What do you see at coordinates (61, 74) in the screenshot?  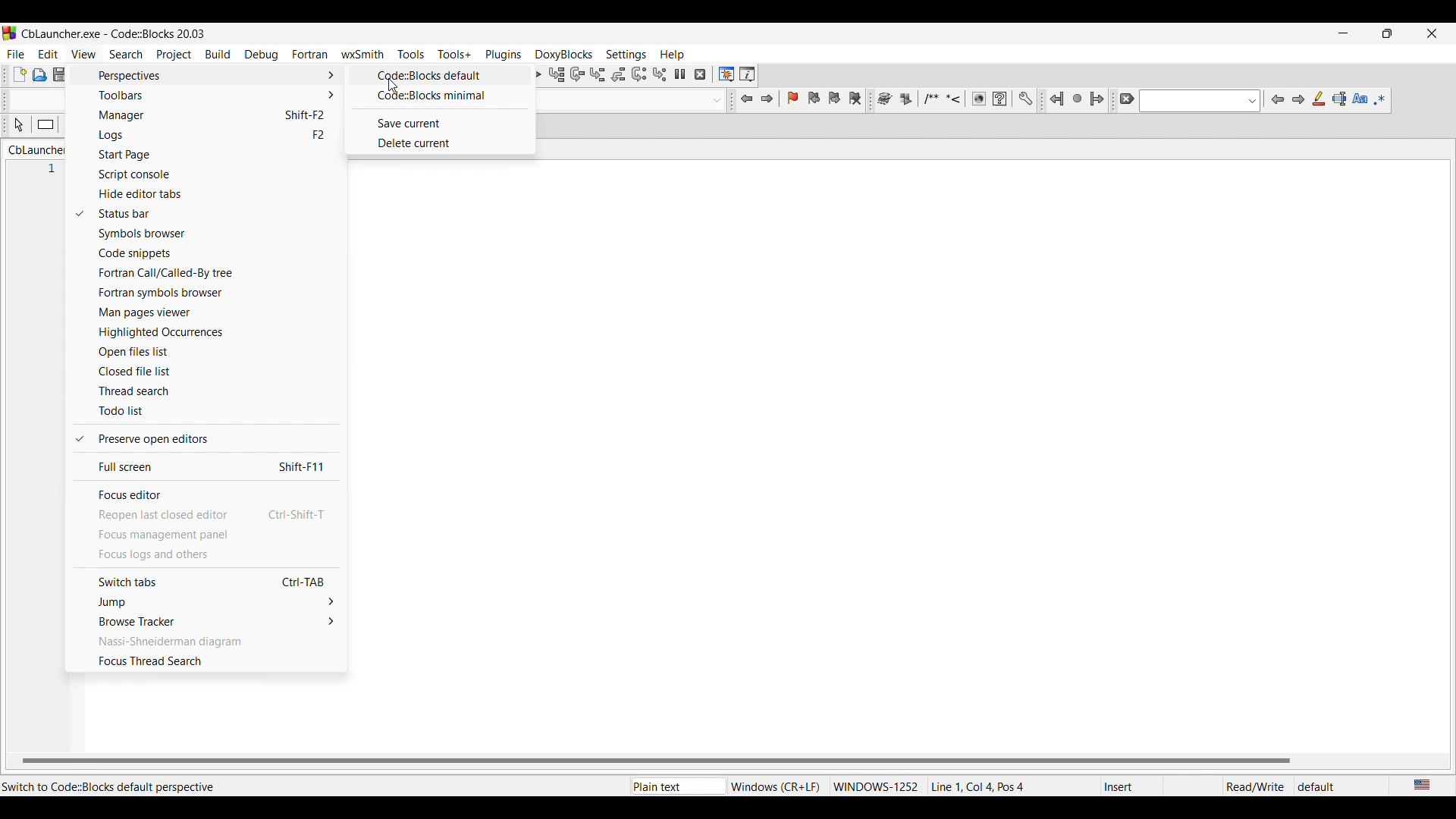 I see `Save` at bounding box center [61, 74].